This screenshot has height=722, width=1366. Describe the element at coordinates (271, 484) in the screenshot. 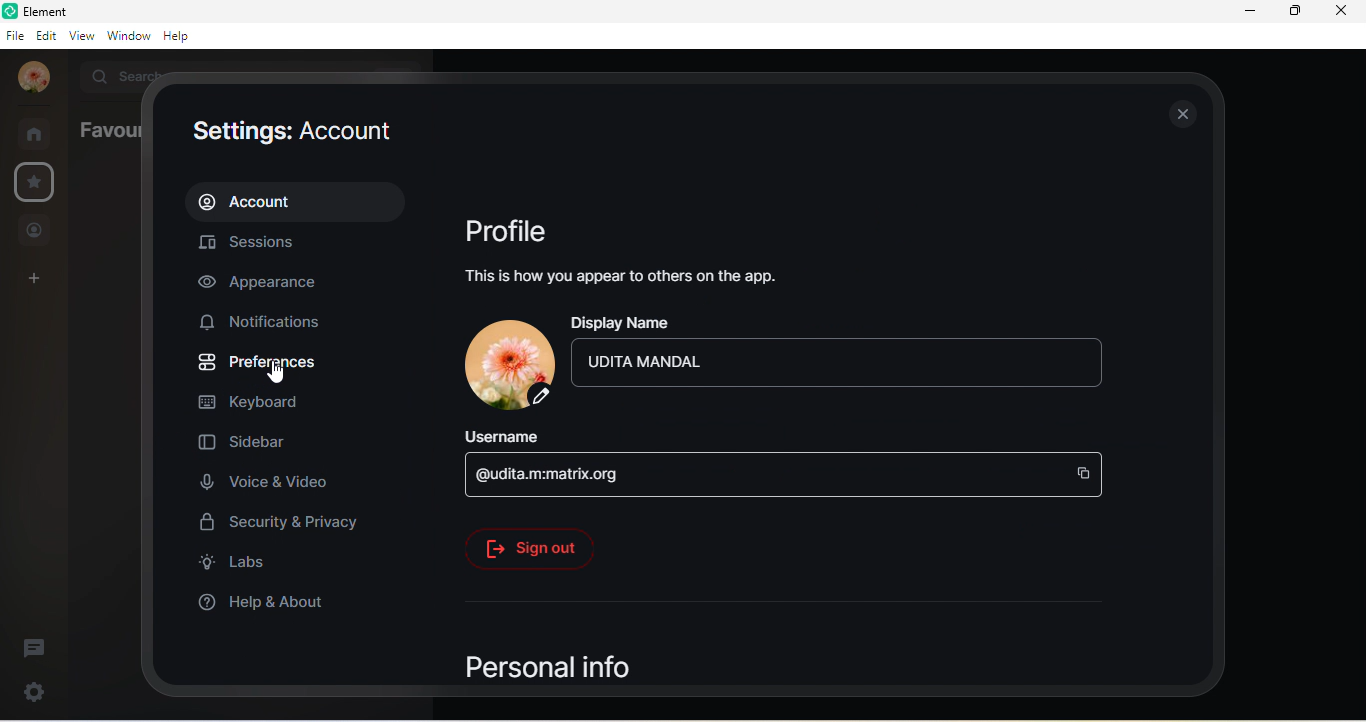

I see `voice and video` at that location.